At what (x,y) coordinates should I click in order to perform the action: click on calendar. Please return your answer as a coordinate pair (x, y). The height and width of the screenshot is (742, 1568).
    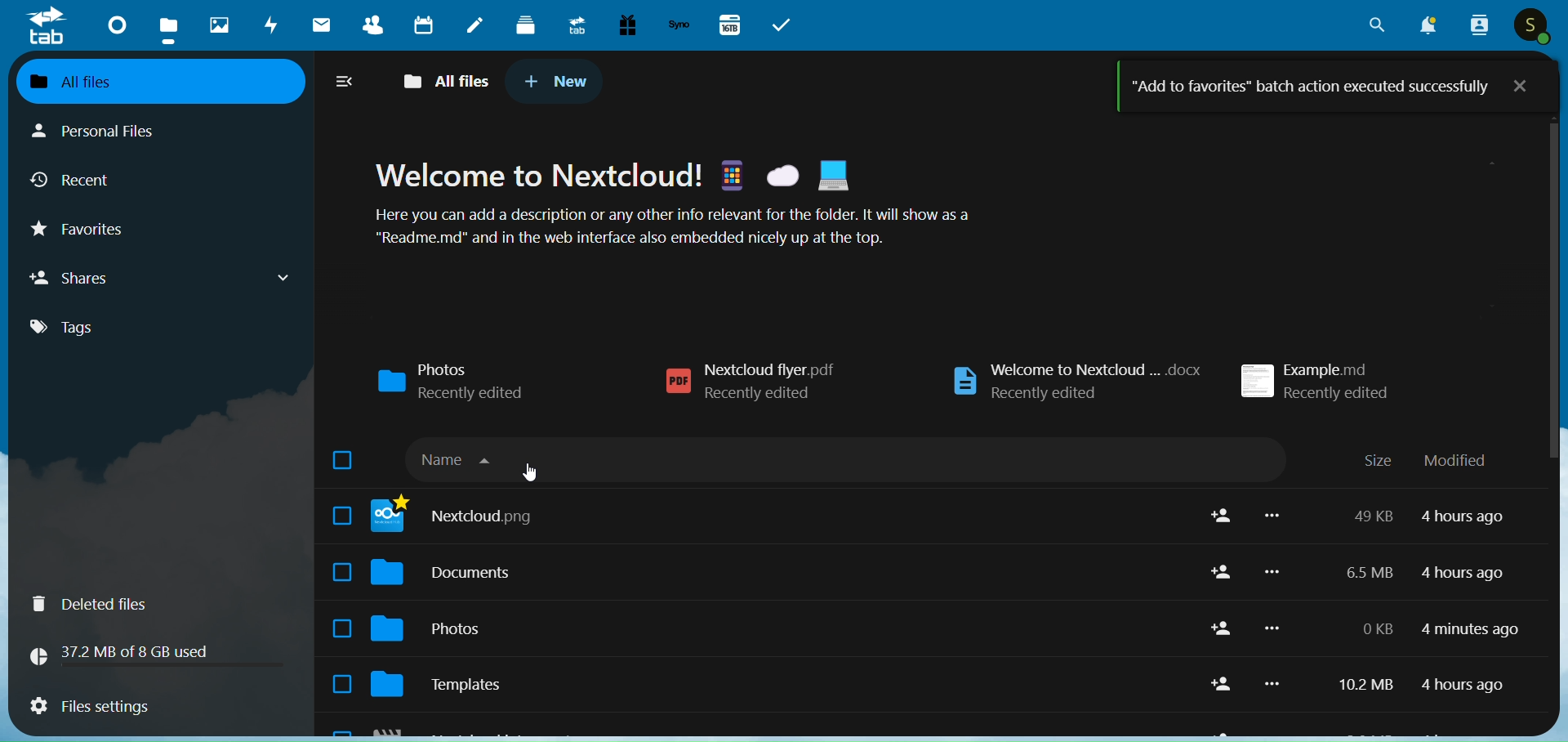
    Looking at the image, I should click on (422, 25).